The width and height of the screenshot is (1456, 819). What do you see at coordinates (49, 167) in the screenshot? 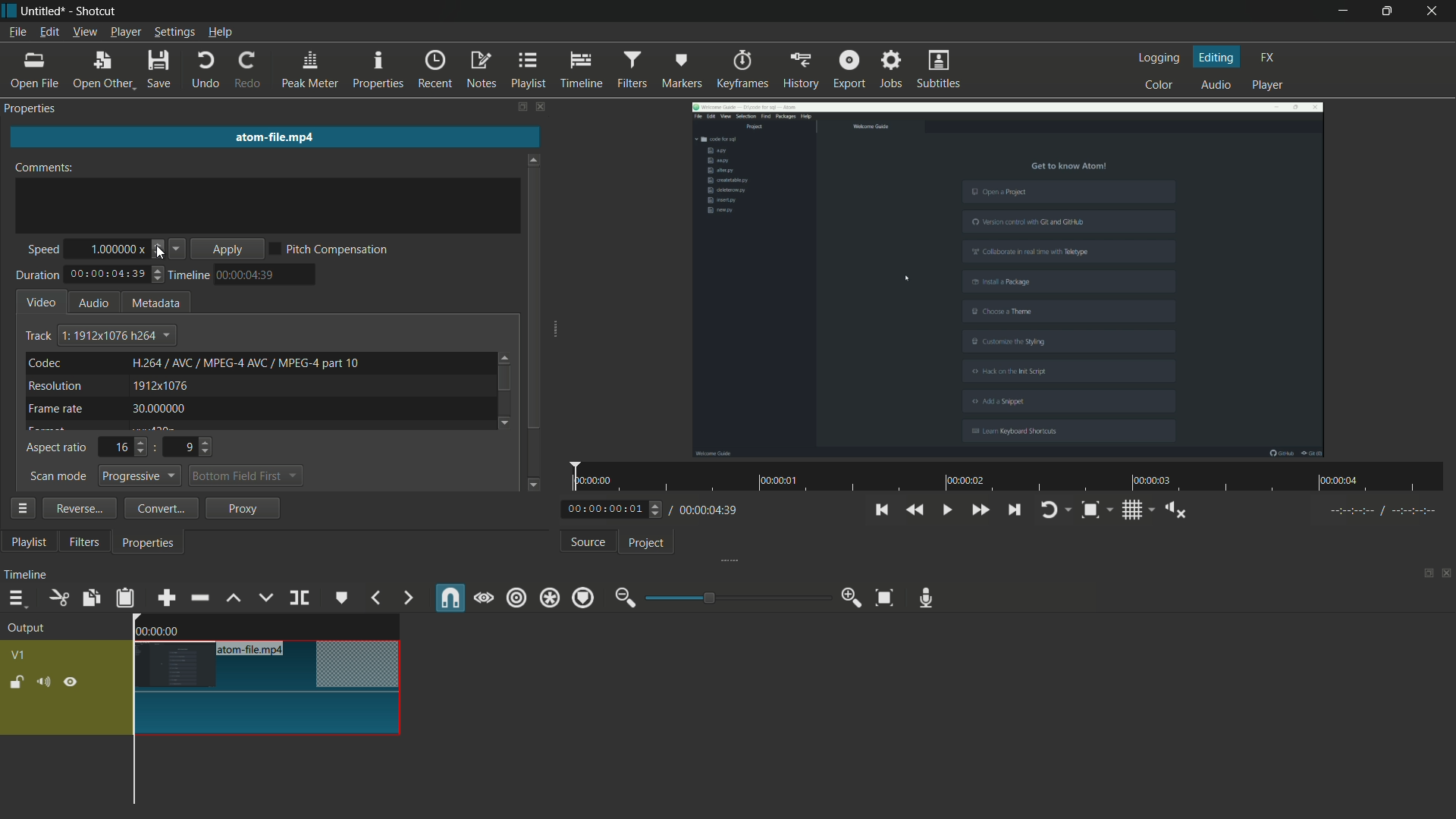
I see `comments` at bounding box center [49, 167].